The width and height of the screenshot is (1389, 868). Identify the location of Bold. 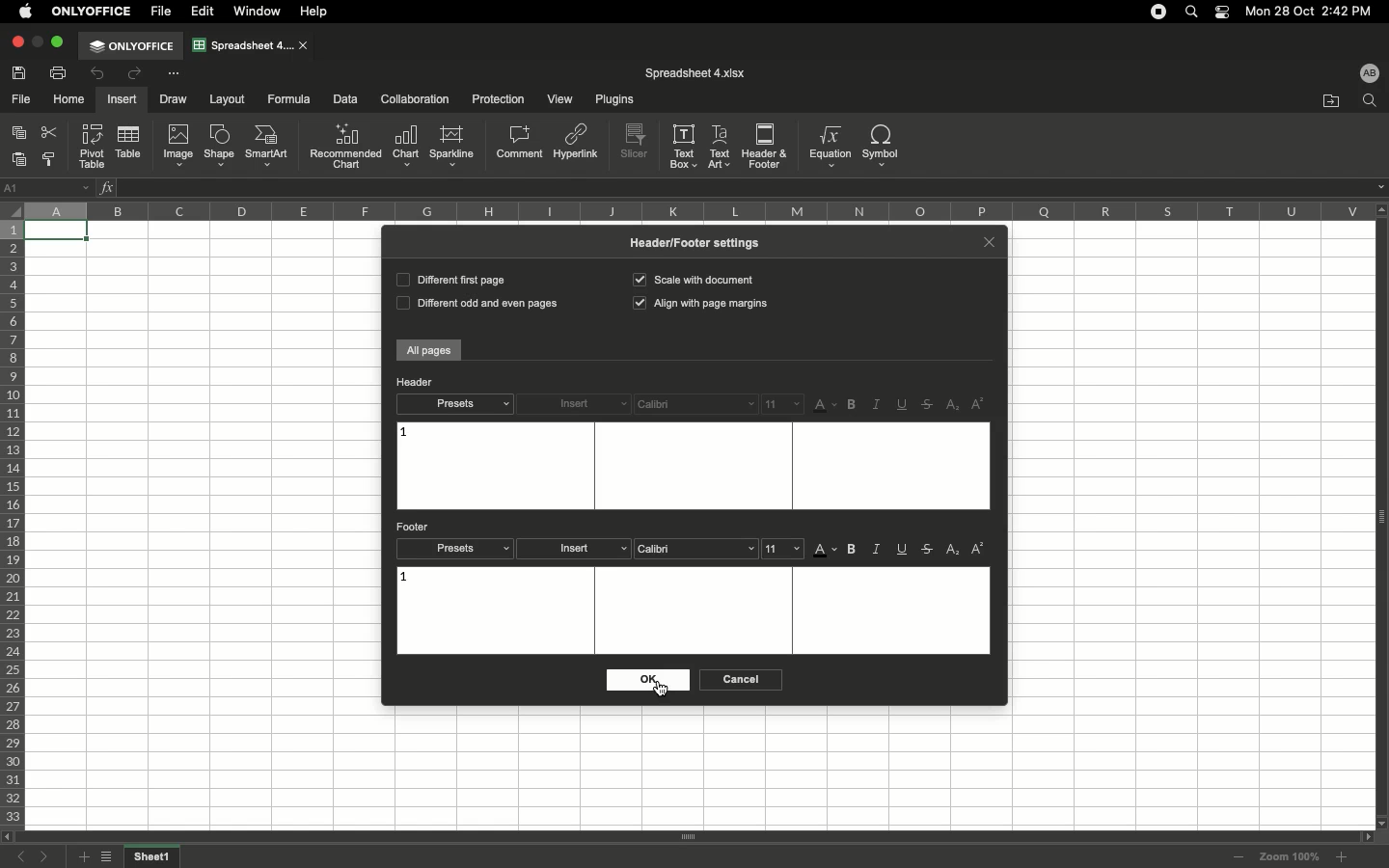
(854, 550).